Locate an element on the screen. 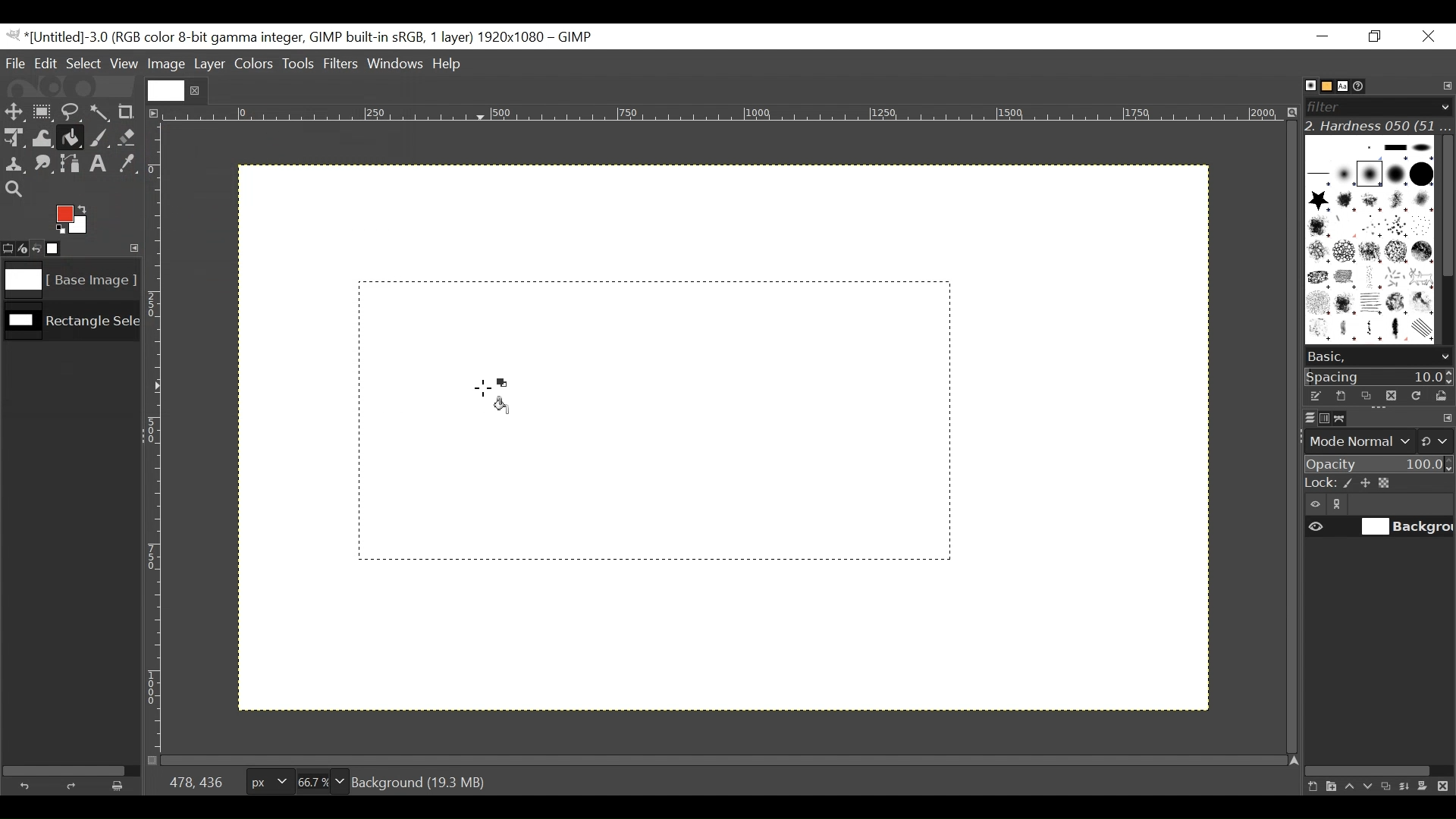  Duplicate brush is located at coordinates (1366, 396).